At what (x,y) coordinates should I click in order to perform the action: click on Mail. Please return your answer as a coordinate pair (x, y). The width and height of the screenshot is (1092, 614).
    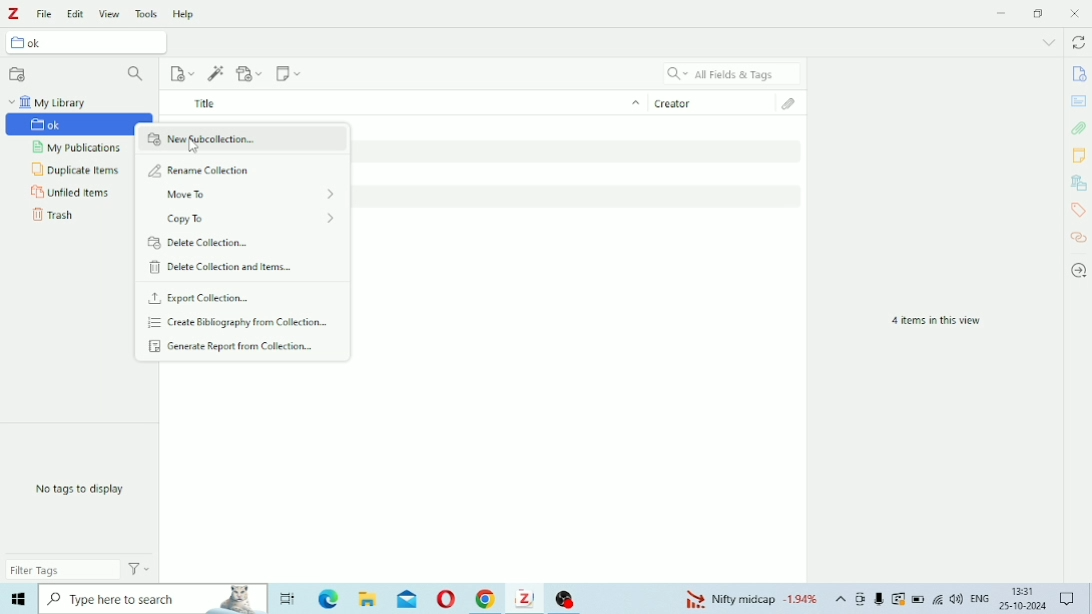
    Looking at the image, I should click on (407, 598).